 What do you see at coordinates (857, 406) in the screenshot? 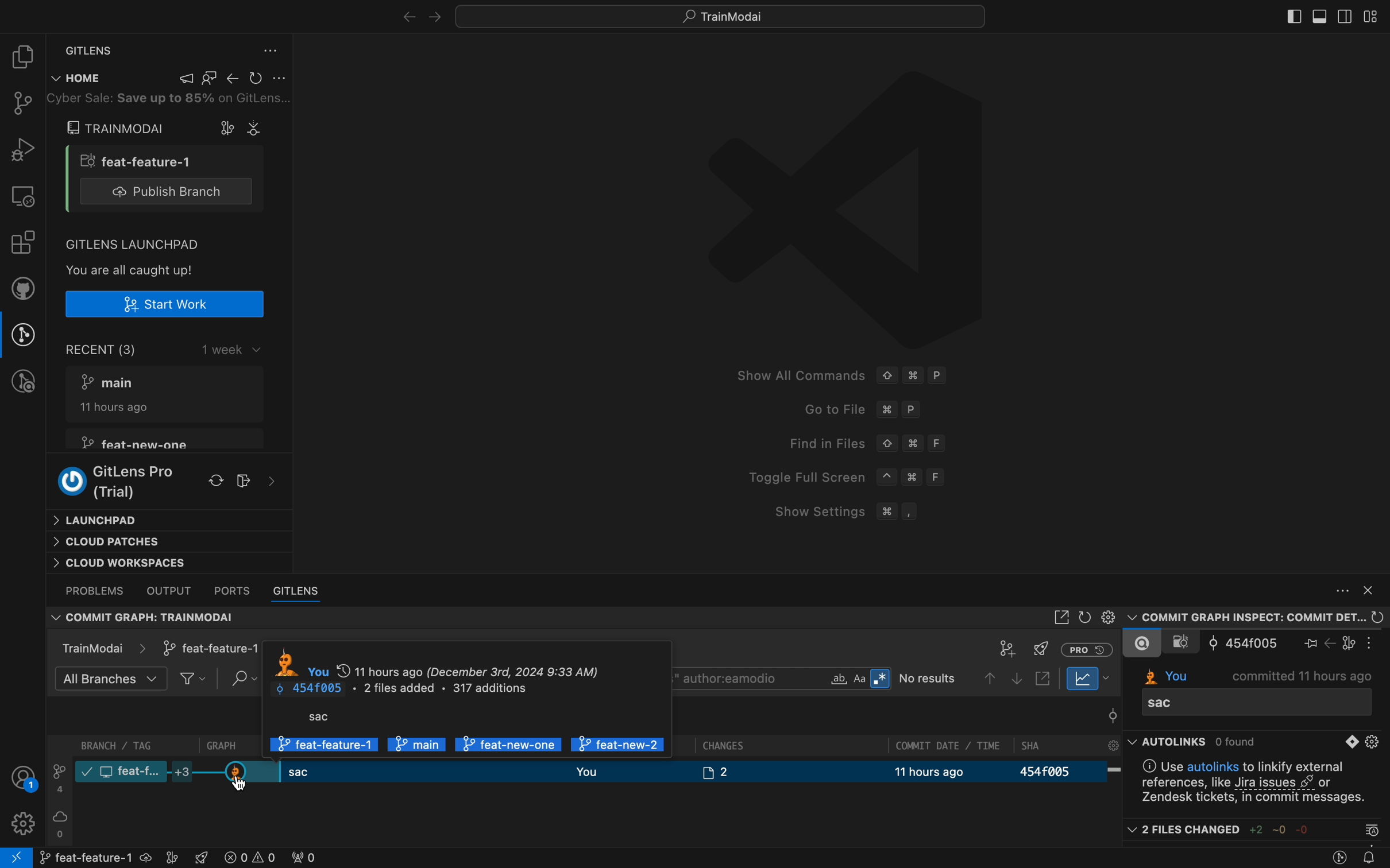
I see `Goto File 3% P` at bounding box center [857, 406].